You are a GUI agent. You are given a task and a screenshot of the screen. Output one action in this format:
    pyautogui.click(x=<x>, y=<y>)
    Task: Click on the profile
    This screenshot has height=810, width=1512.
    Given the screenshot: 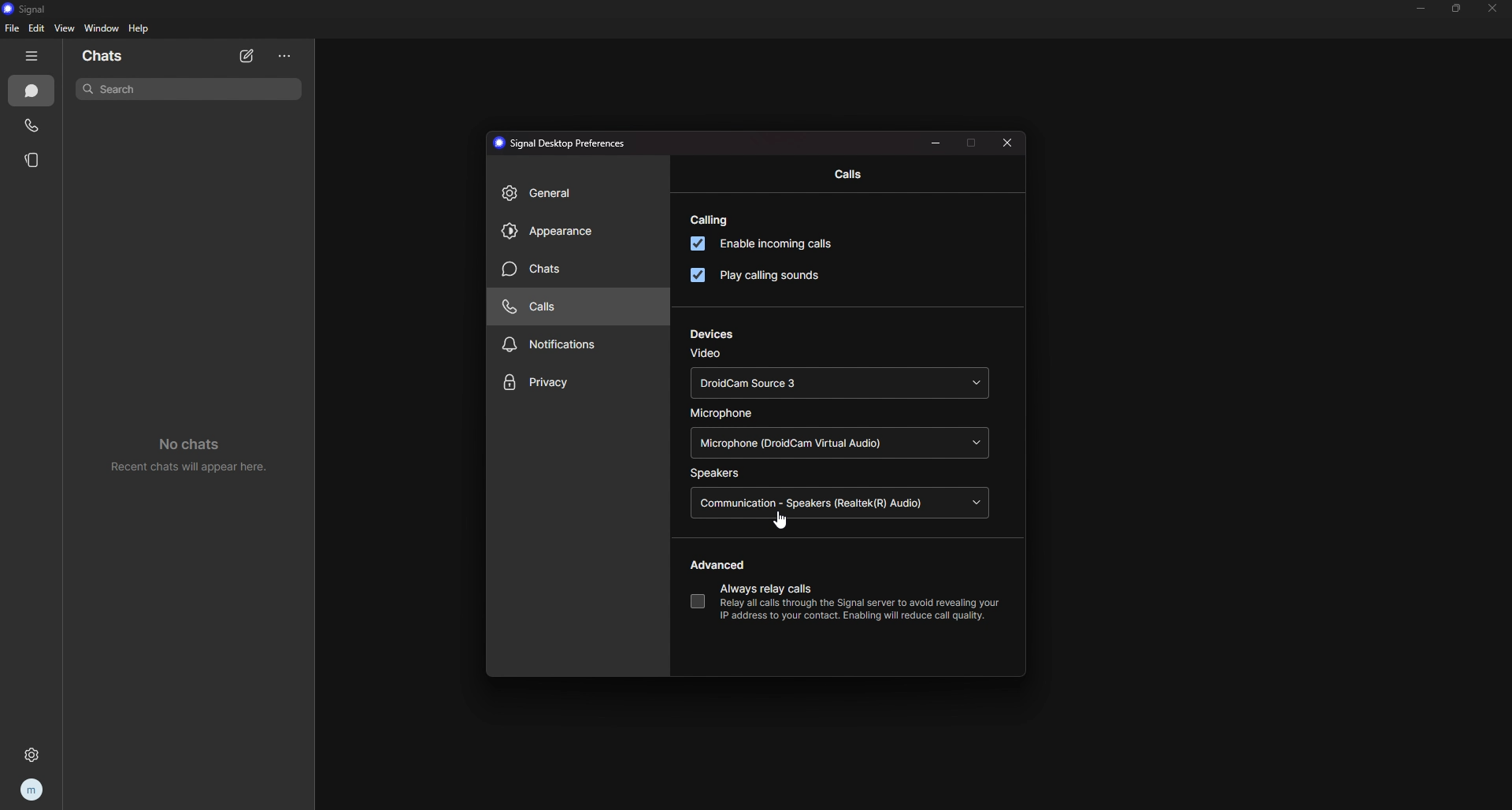 What is the action you would take?
    pyautogui.click(x=30, y=790)
    